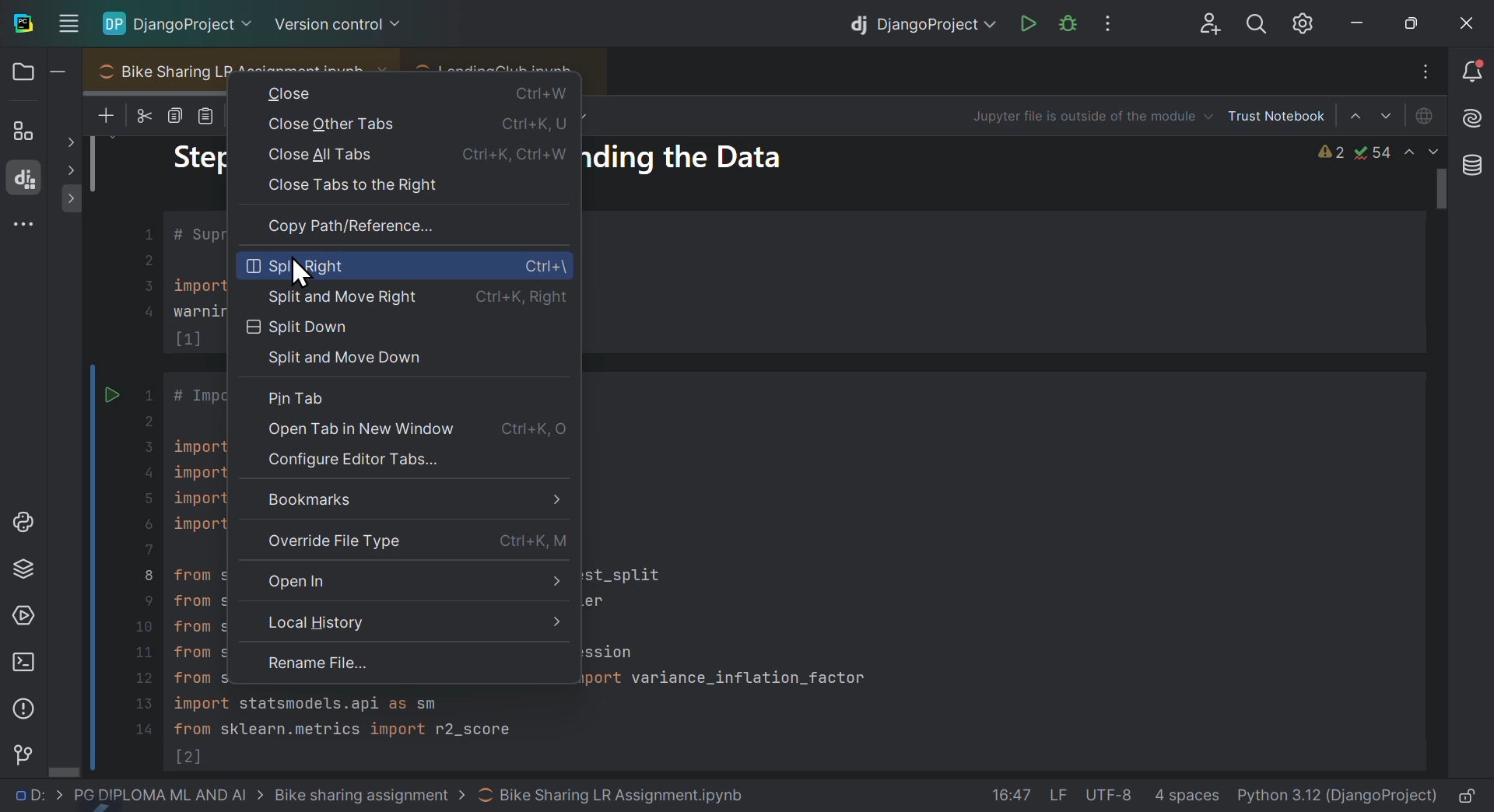 Image resolution: width=1494 pixels, height=812 pixels. I want to click on Files and folders, so click(38, 72).